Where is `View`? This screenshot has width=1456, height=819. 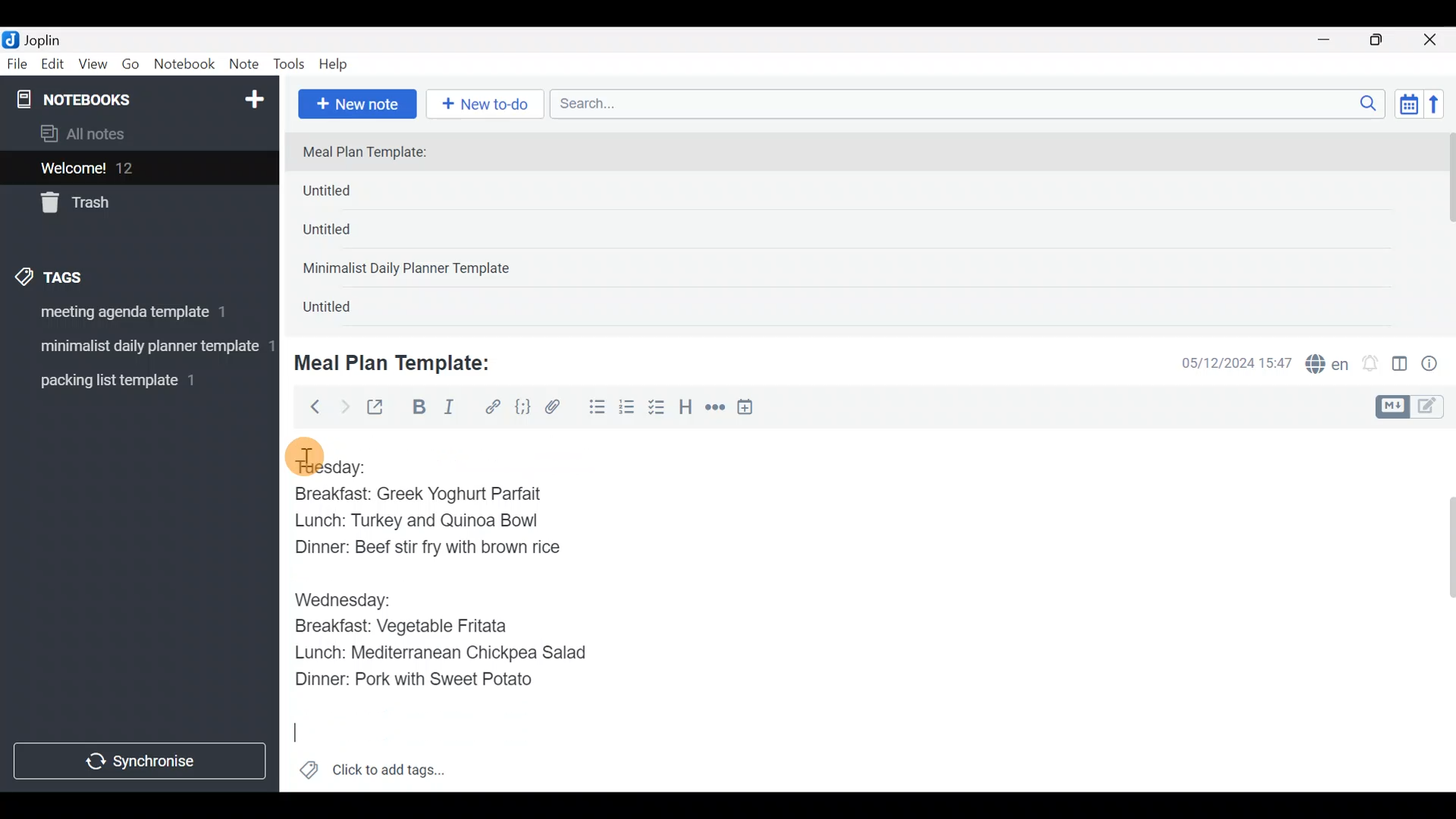
View is located at coordinates (93, 67).